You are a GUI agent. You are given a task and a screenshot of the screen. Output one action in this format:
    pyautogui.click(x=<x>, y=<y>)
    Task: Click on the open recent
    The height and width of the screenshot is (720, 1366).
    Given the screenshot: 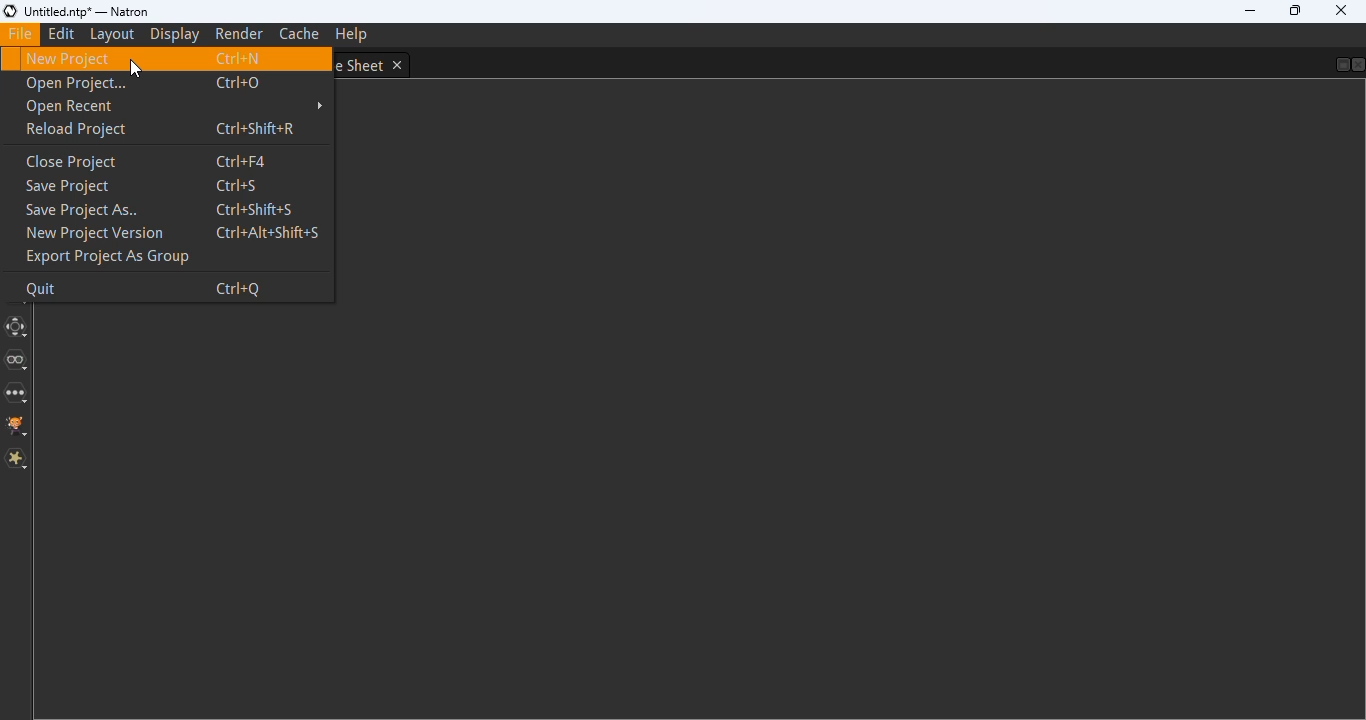 What is the action you would take?
    pyautogui.click(x=174, y=107)
    